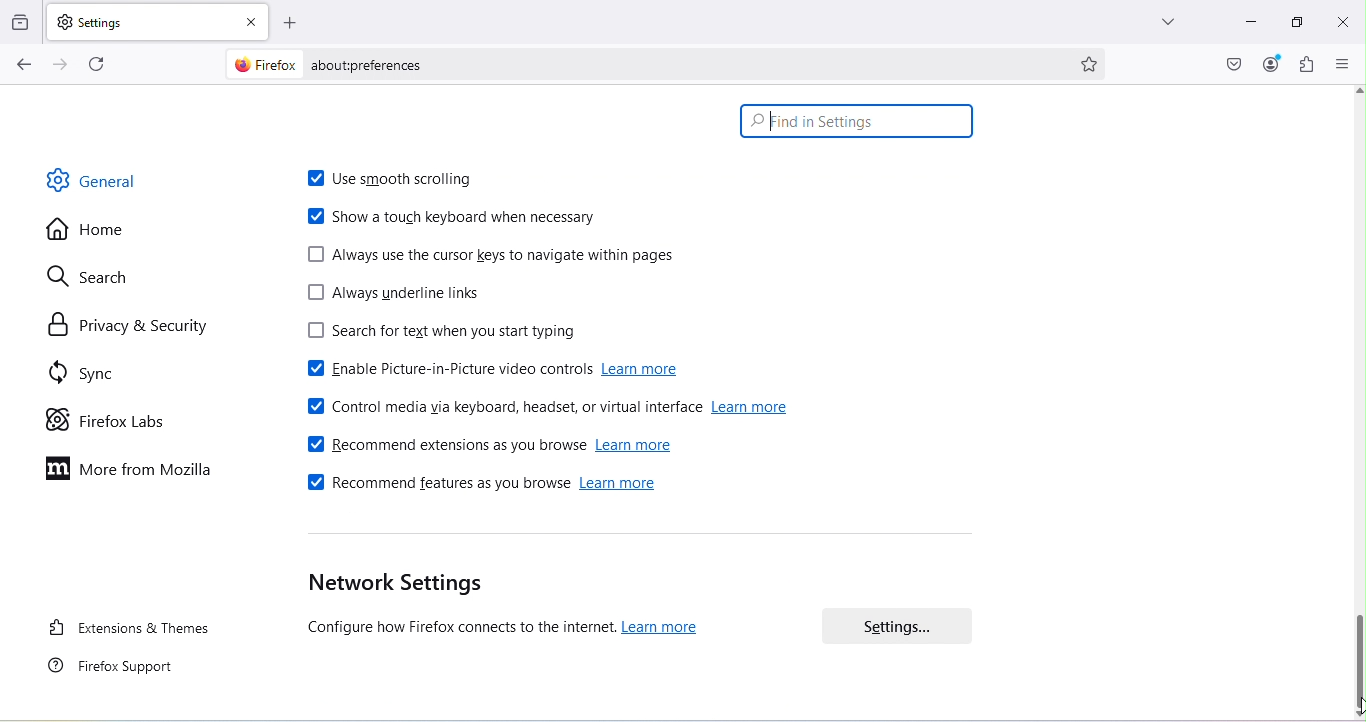 The height and width of the screenshot is (722, 1366). I want to click on Use smooth scrolling, so click(392, 174).